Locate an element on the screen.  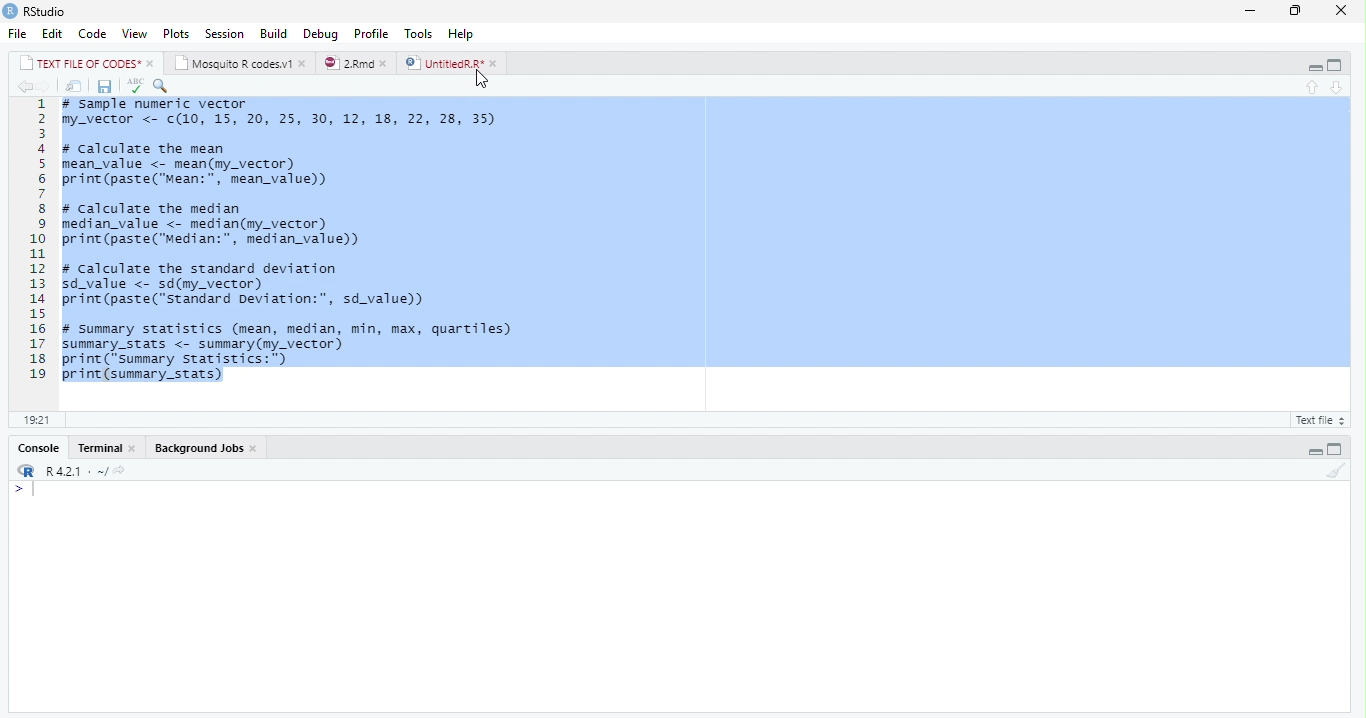
Console is located at coordinates (41, 449).